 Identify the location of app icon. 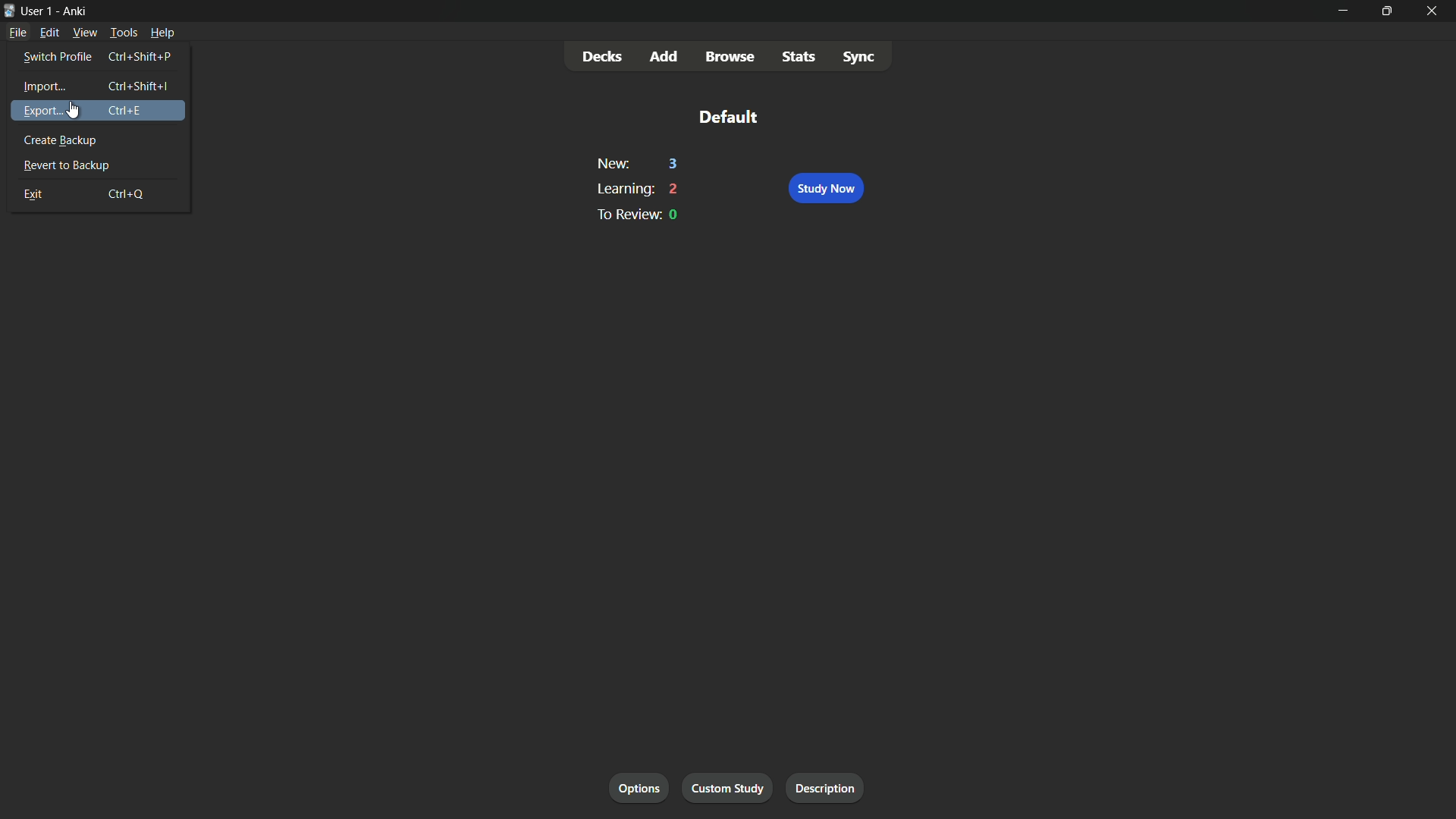
(9, 11).